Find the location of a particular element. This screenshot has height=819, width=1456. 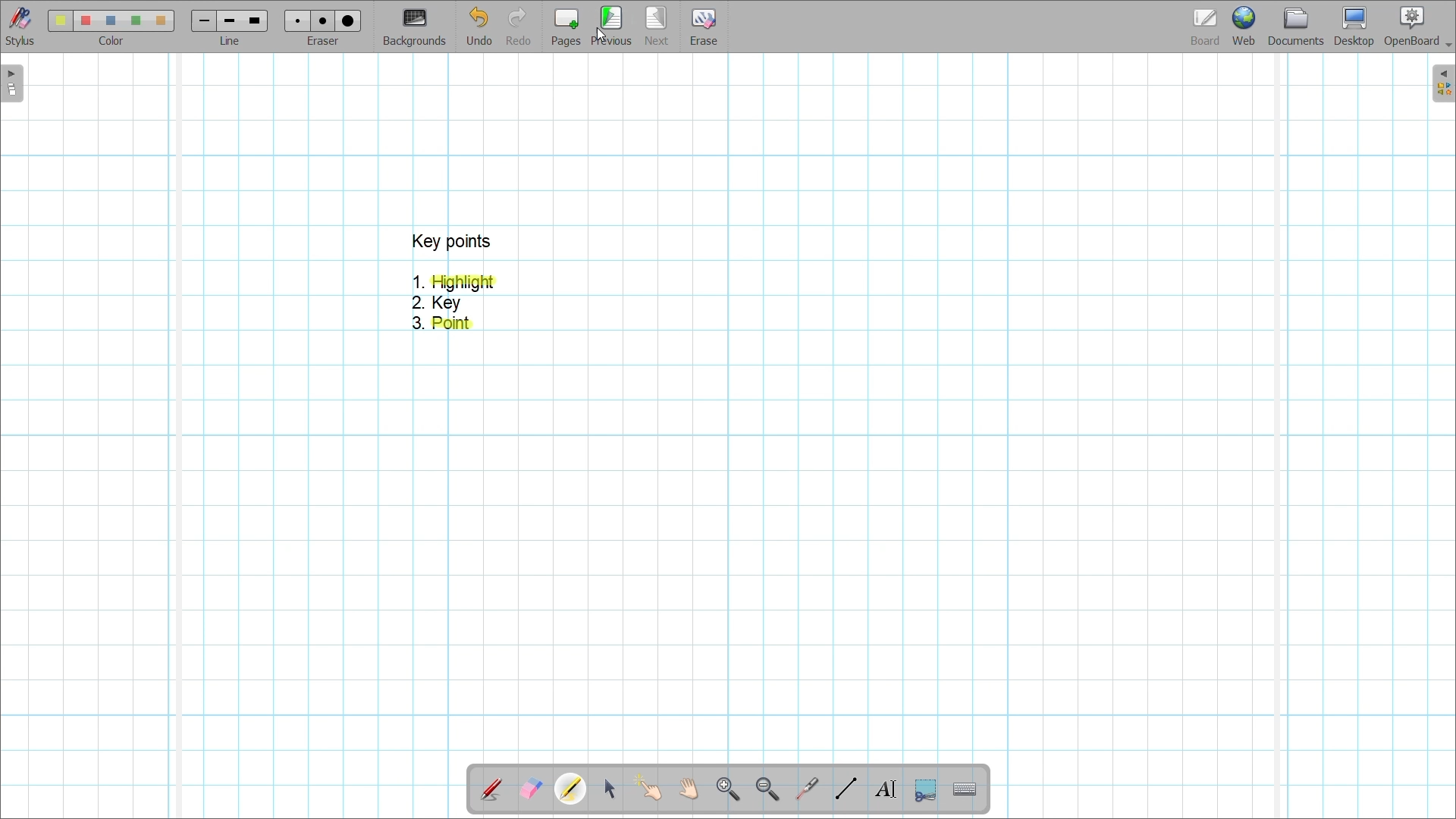

Scroll page is located at coordinates (688, 789).